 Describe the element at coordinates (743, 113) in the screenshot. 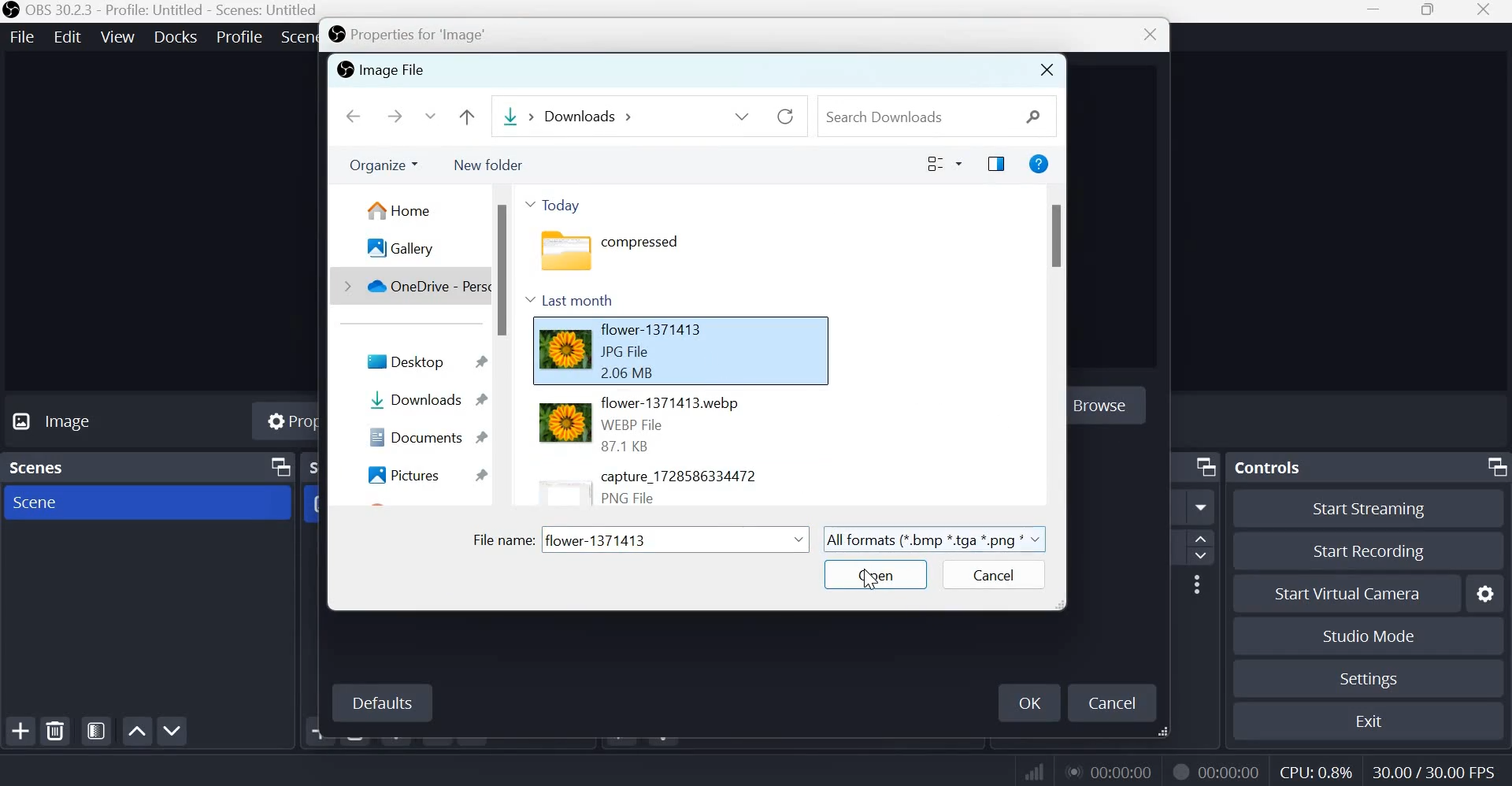

I see `previous locations` at that location.